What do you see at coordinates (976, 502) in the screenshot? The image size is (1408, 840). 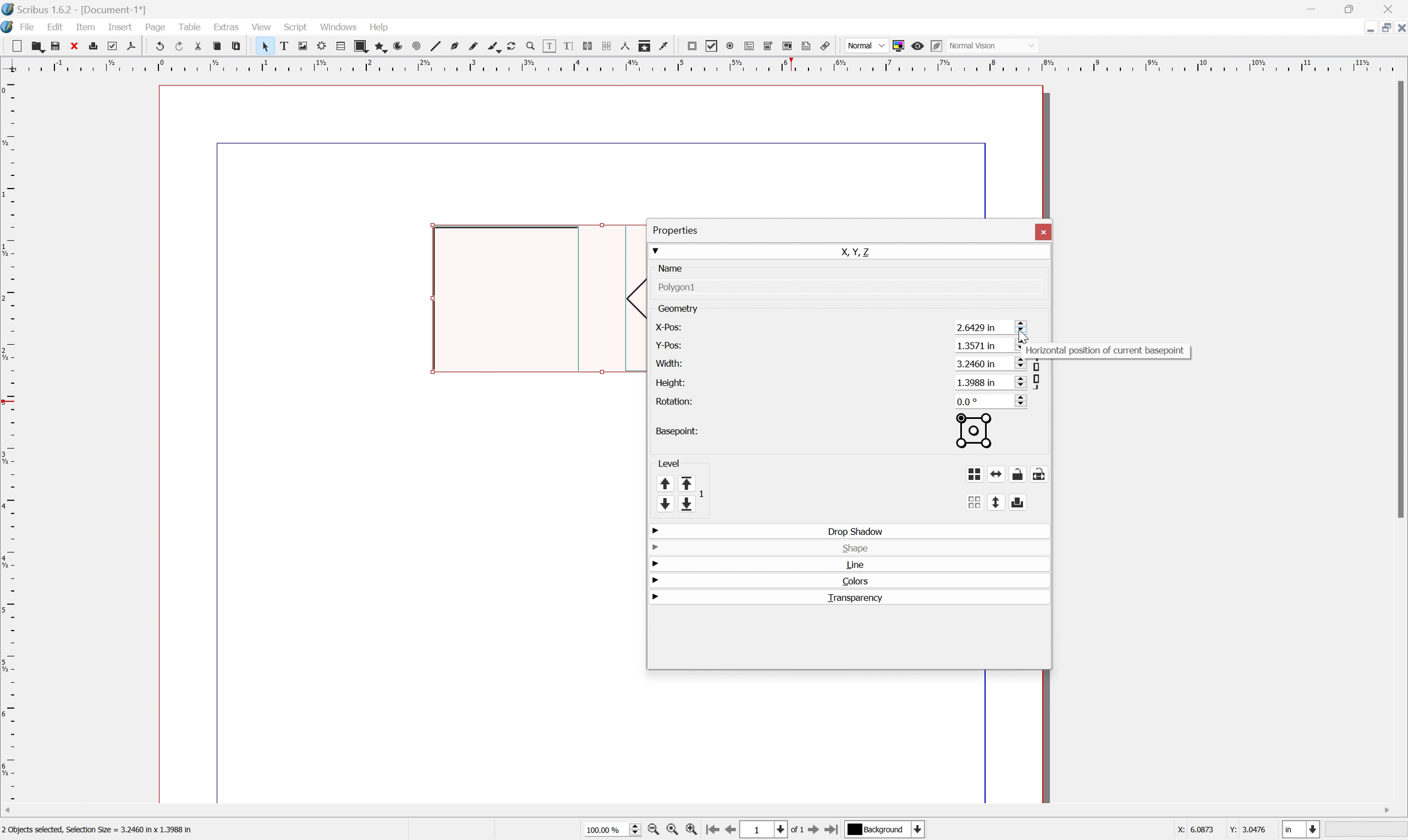 I see `ungroup object` at bounding box center [976, 502].